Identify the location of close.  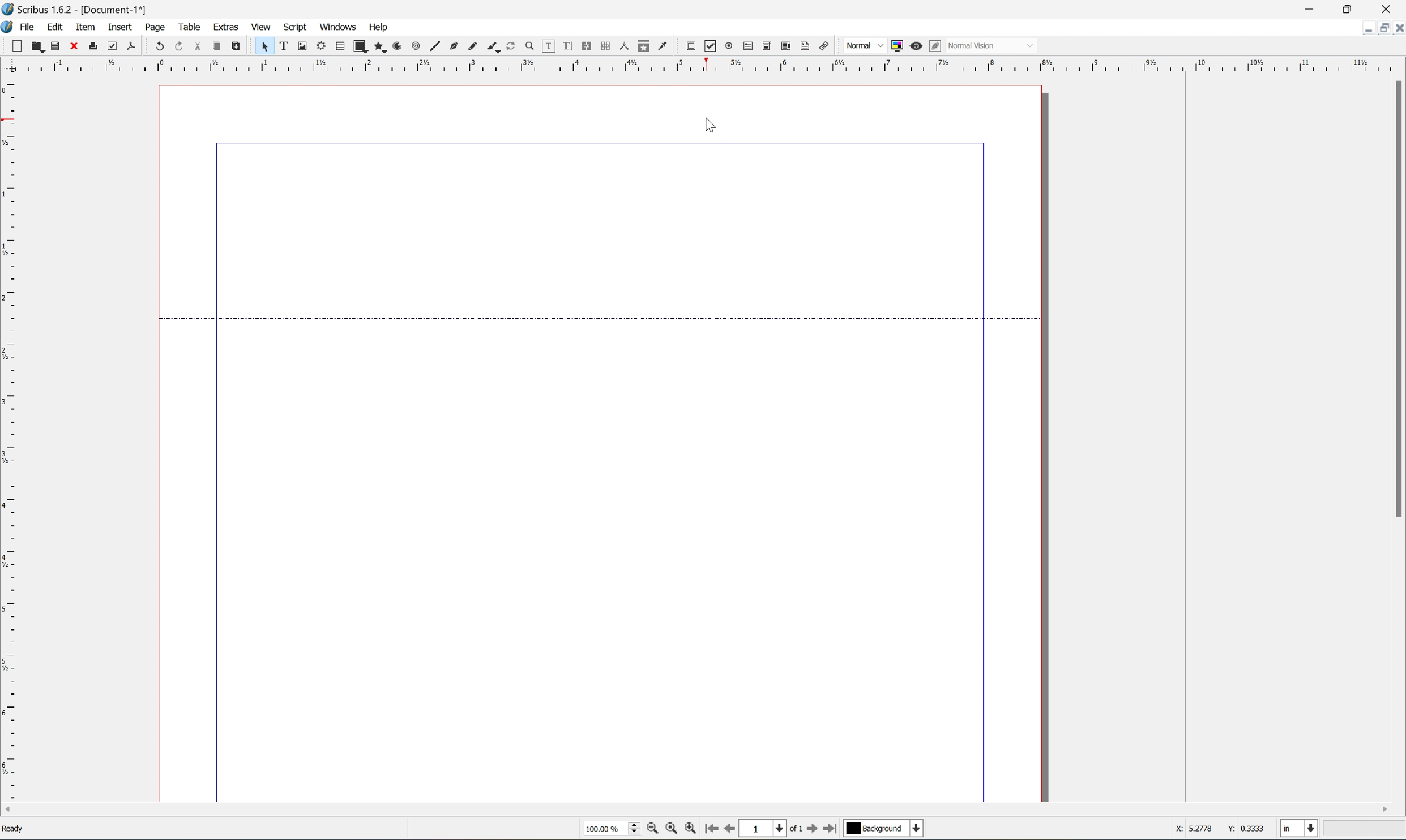
(1390, 10).